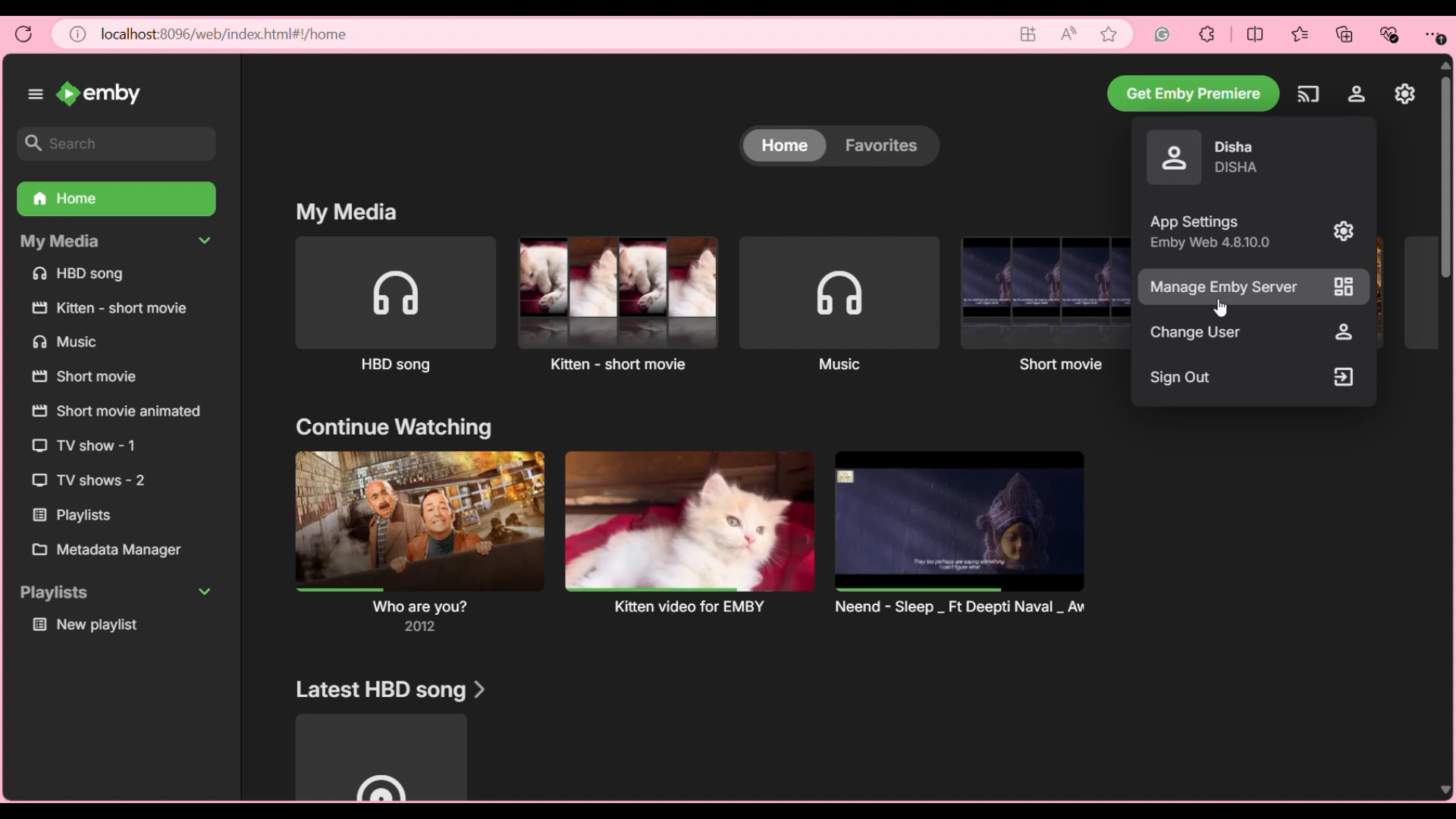 The width and height of the screenshot is (1456, 819). What do you see at coordinates (89, 482) in the screenshot?
I see `TV shows-2` at bounding box center [89, 482].